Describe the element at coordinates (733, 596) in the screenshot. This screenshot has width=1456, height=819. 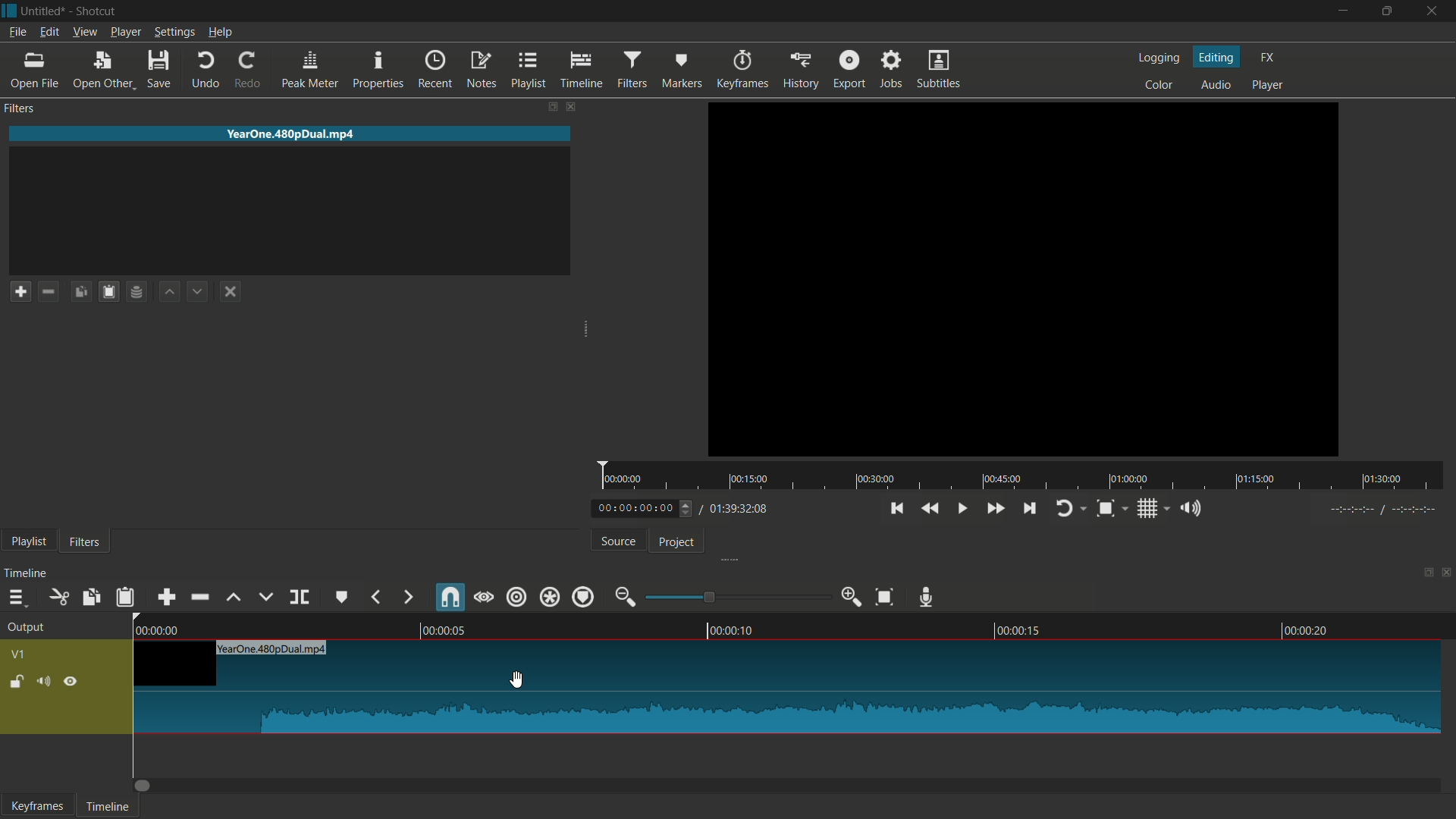
I see `adjustment bar` at that location.